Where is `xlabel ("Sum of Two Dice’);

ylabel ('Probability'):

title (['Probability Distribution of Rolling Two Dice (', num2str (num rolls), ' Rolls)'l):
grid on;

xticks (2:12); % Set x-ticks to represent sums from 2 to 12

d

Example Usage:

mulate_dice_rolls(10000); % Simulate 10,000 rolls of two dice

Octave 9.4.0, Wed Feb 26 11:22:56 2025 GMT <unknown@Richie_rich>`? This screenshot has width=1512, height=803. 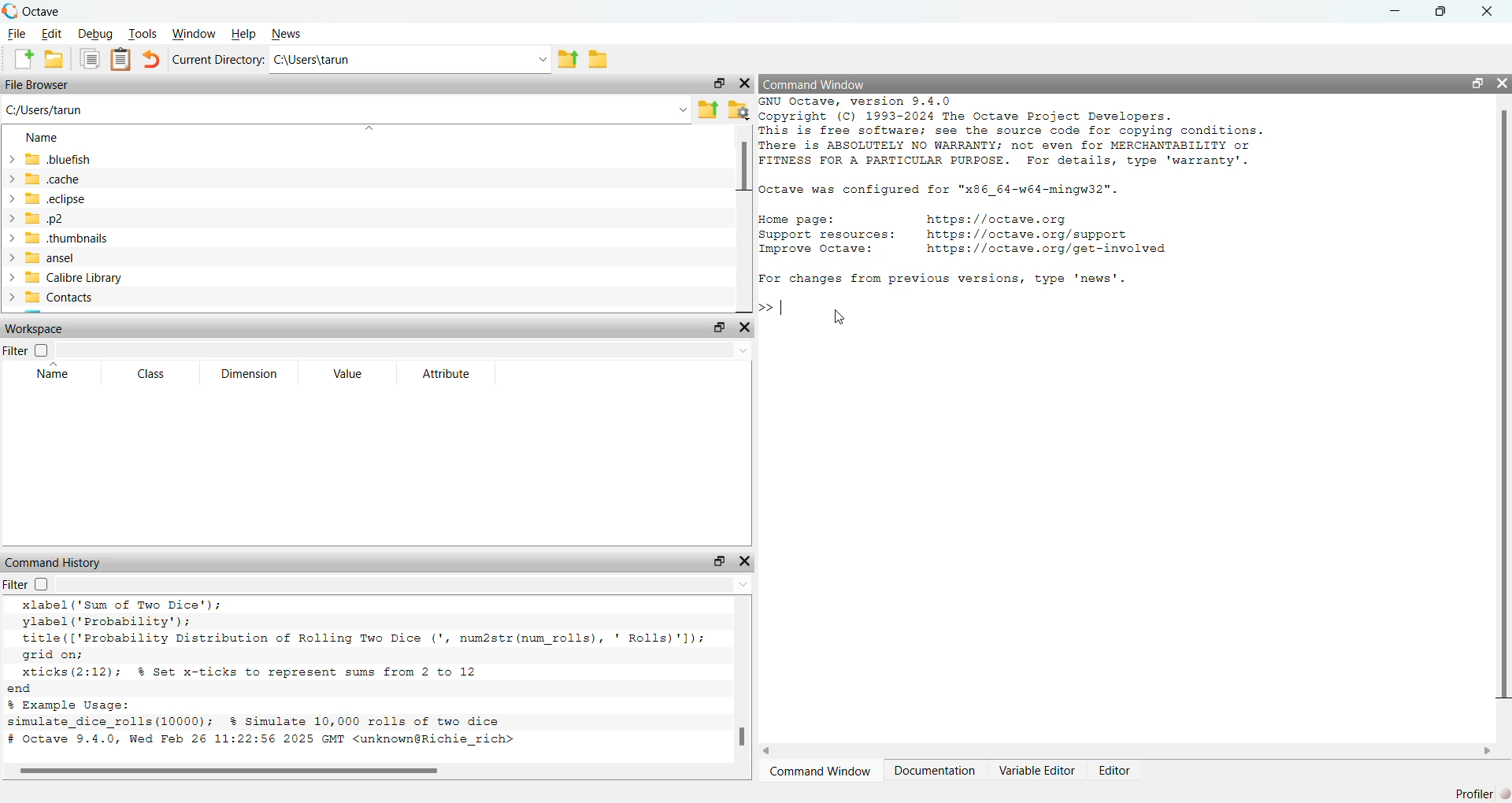 xlabel ("Sum of Two Dice’);

ylabel ('Probability'):

title (['Probability Distribution of Rolling Two Dice (', num2str (num rolls), ' Rolls)'l):
grid on;

xticks (2:12); % Set x-ticks to represent sums from 2 to 12

d

Example Usage:

mulate_dice_rolls(10000); % Simulate 10,000 rolls of two dice

Octave 9.4.0, Wed Feb 26 11:22:56 2025 GMT <unknown@Richie_rich> is located at coordinates (358, 677).